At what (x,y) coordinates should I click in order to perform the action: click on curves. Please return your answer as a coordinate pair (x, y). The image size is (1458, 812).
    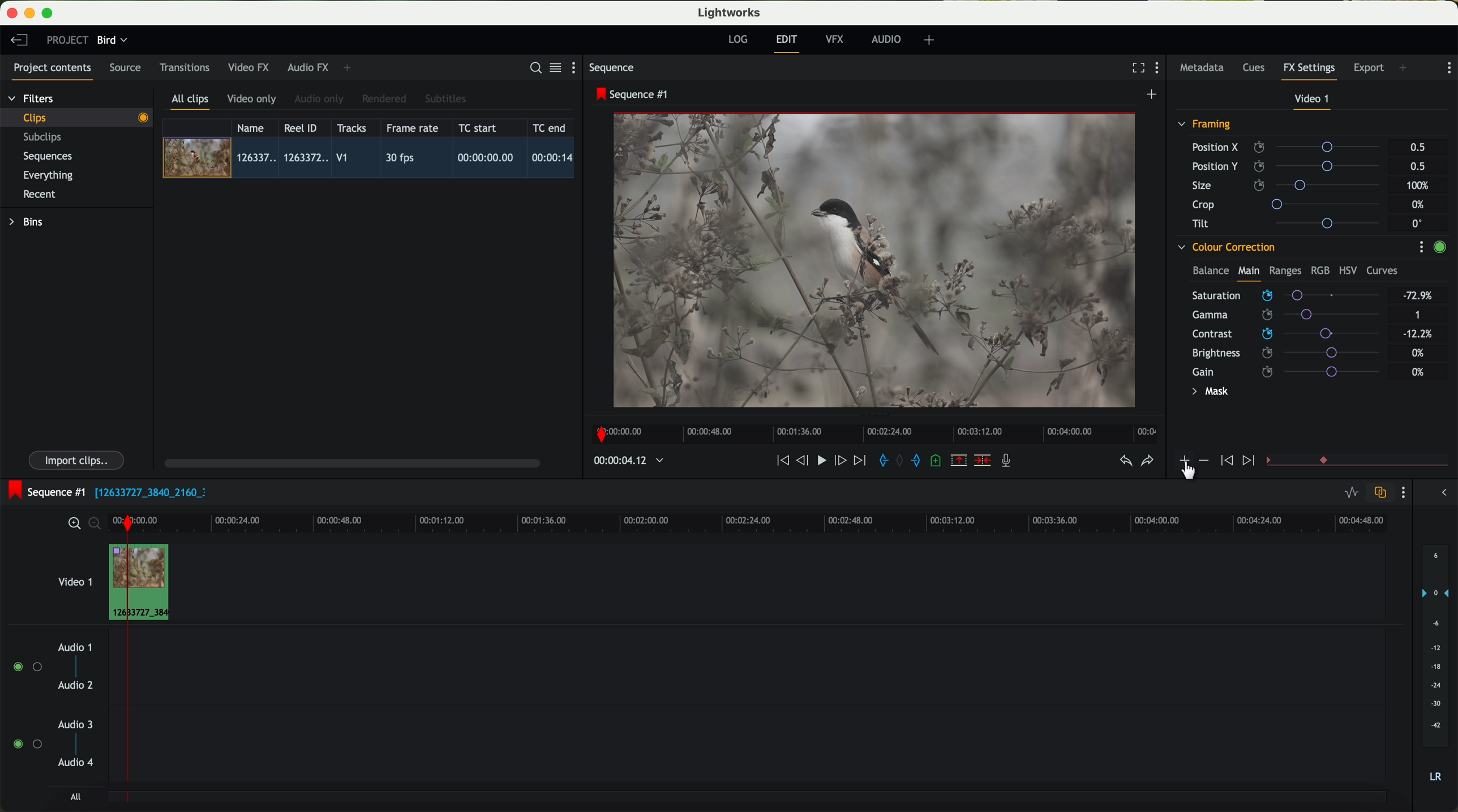
    Looking at the image, I should click on (1382, 271).